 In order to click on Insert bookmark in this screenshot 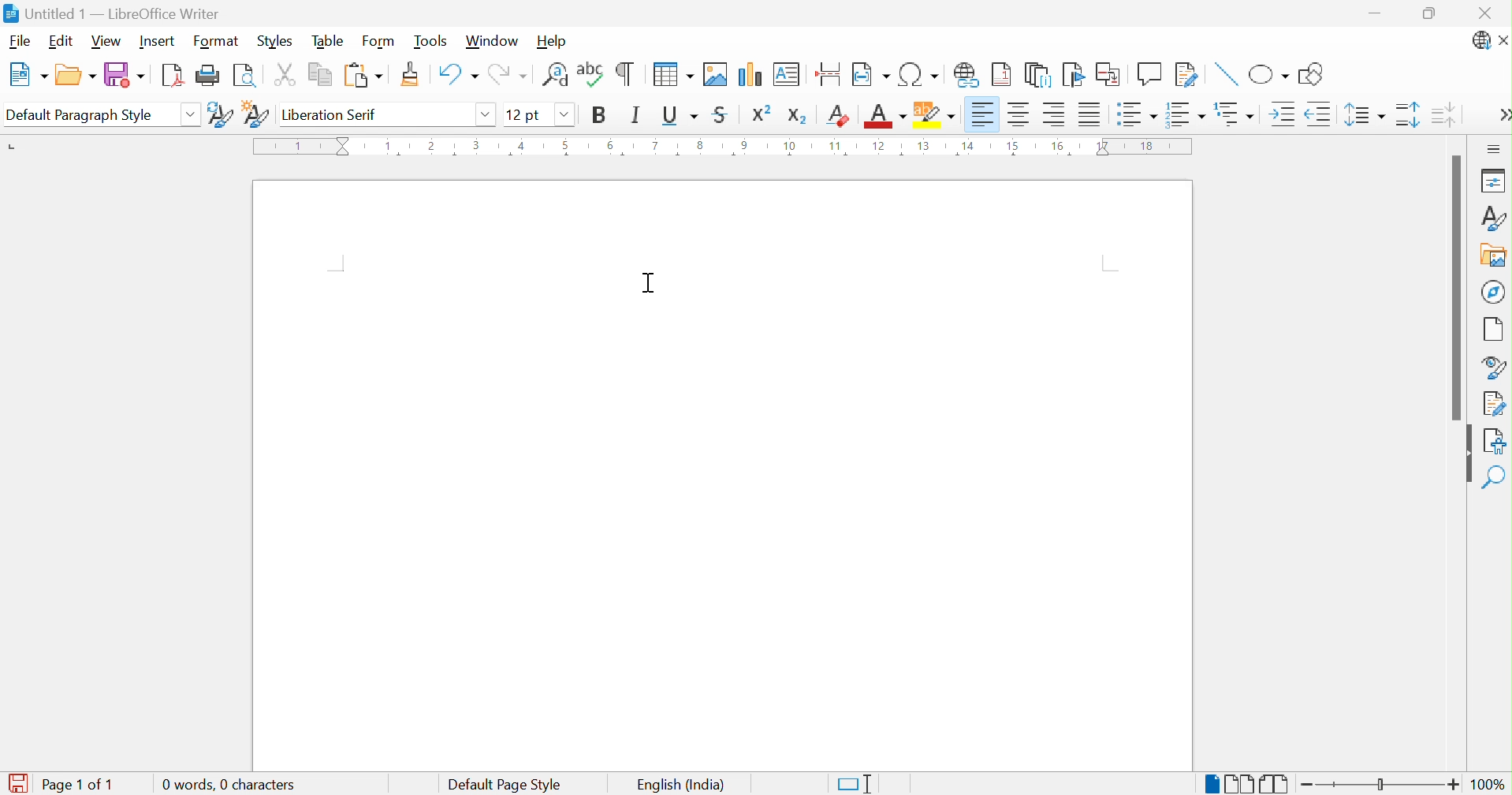, I will do `click(1075, 75)`.